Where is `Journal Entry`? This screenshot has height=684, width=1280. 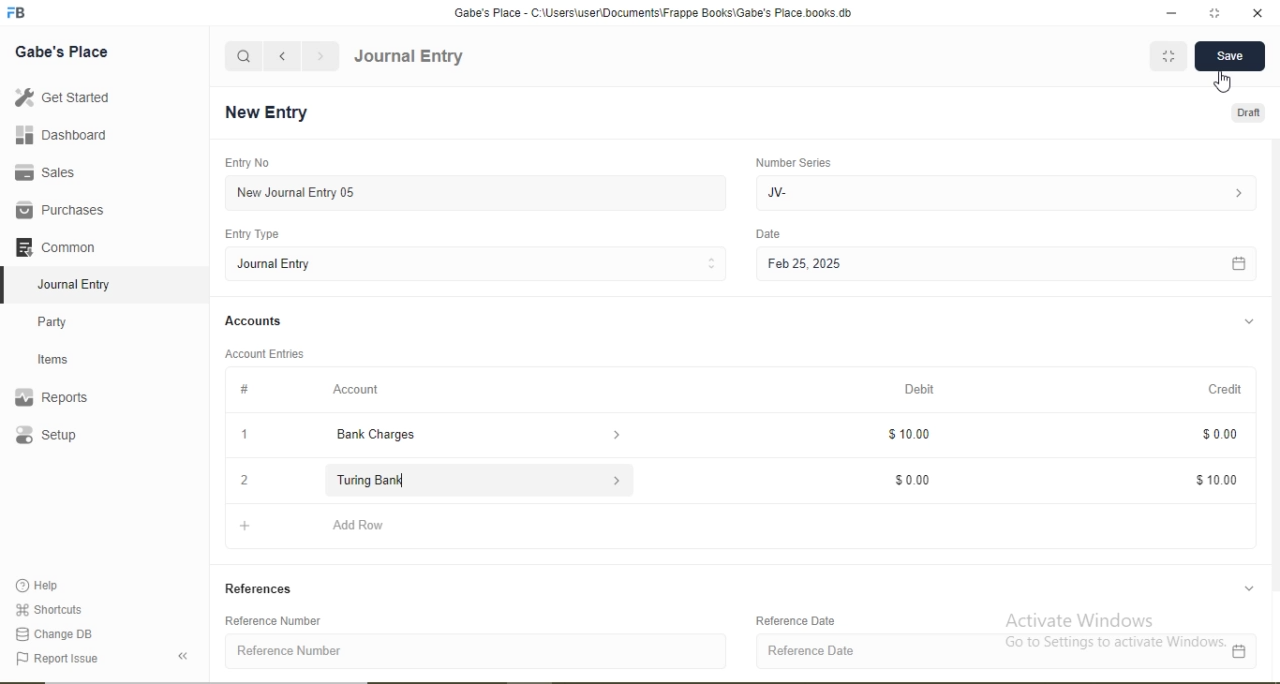 Journal Entry is located at coordinates (478, 263).